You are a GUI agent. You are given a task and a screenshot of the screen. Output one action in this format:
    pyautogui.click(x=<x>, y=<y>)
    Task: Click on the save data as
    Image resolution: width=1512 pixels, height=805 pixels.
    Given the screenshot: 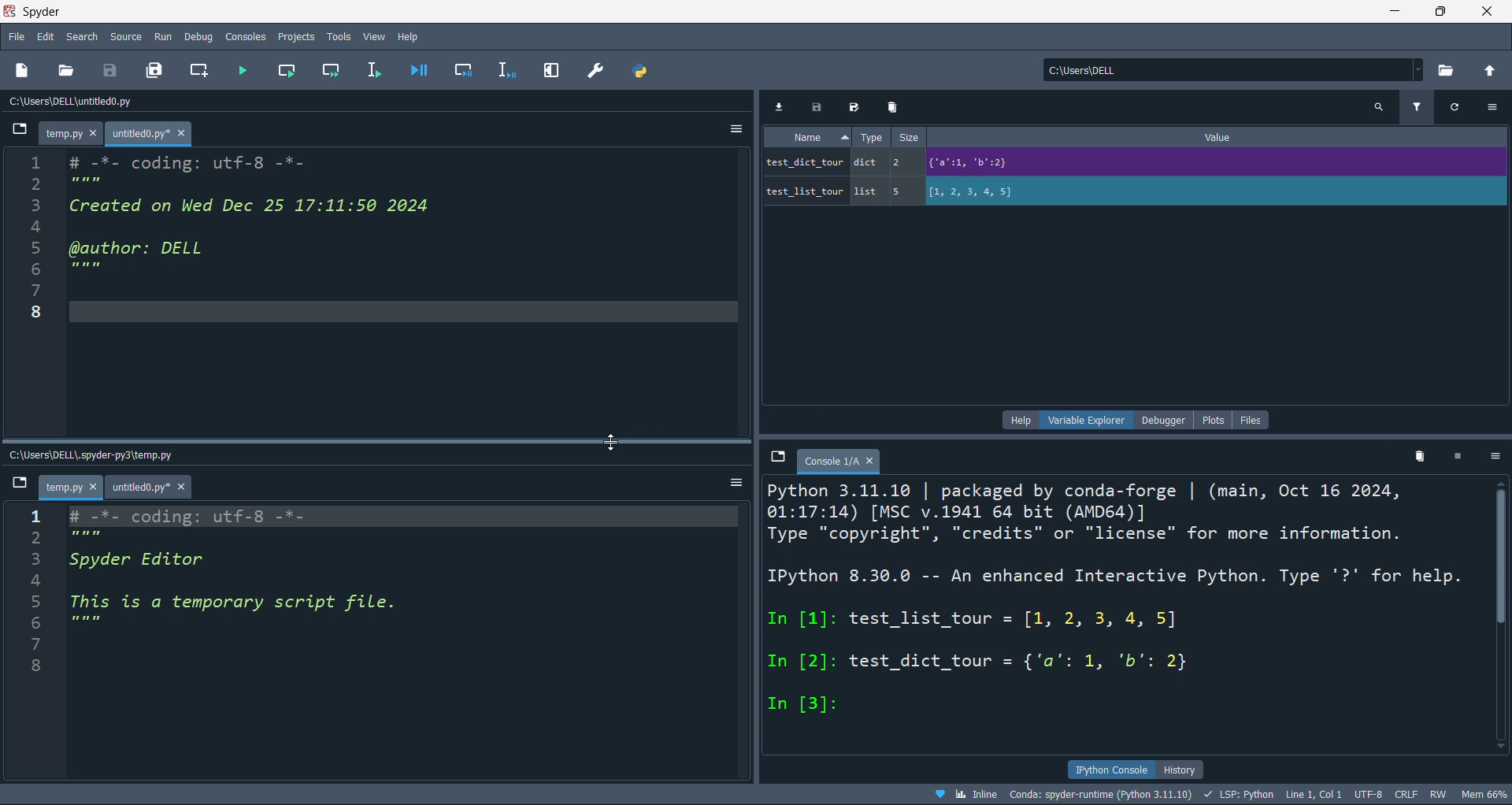 What is the action you would take?
    pyautogui.click(x=858, y=107)
    